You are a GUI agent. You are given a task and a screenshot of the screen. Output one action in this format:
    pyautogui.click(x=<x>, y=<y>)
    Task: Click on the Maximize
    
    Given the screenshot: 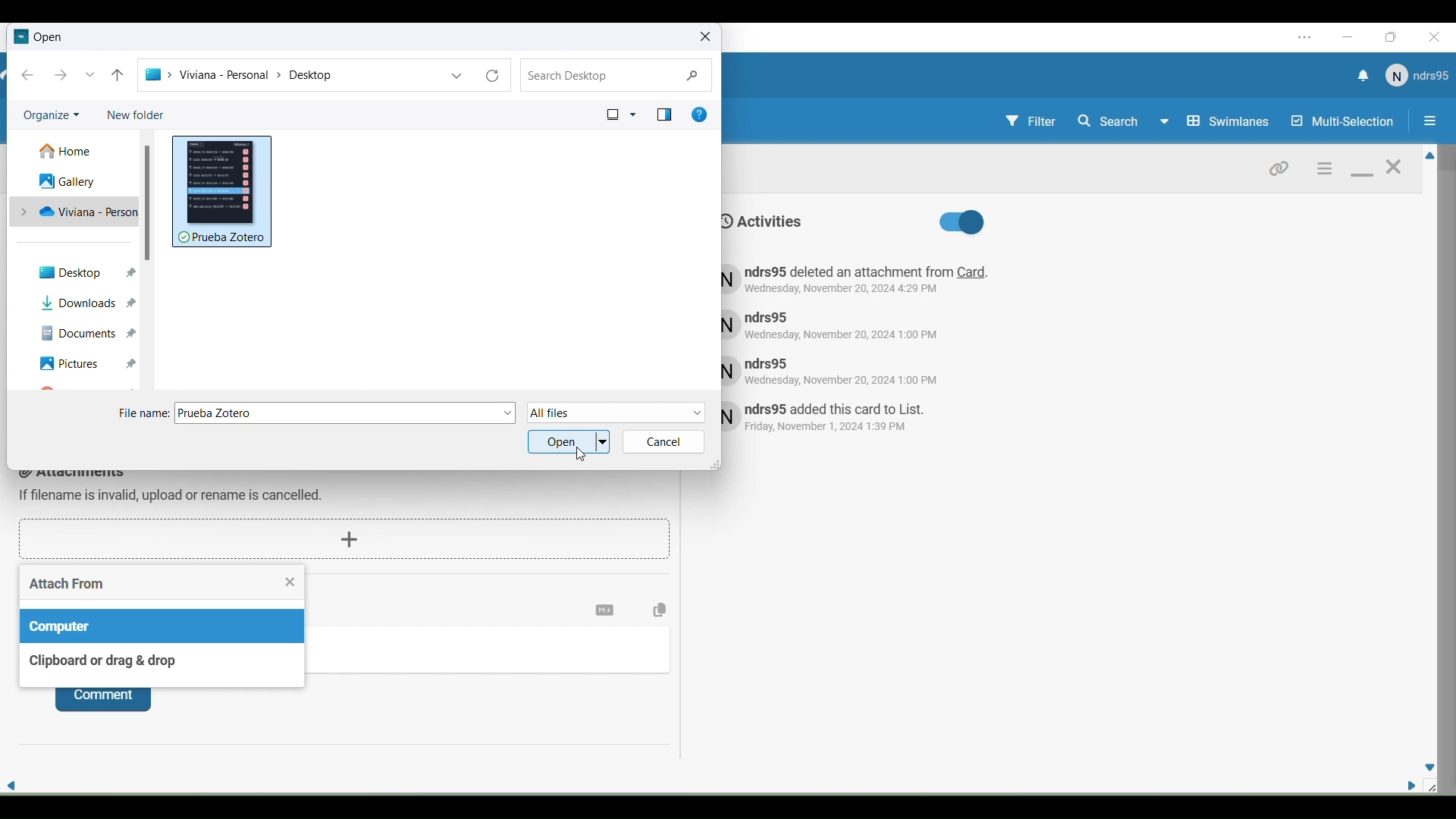 What is the action you would take?
    pyautogui.click(x=1395, y=38)
    